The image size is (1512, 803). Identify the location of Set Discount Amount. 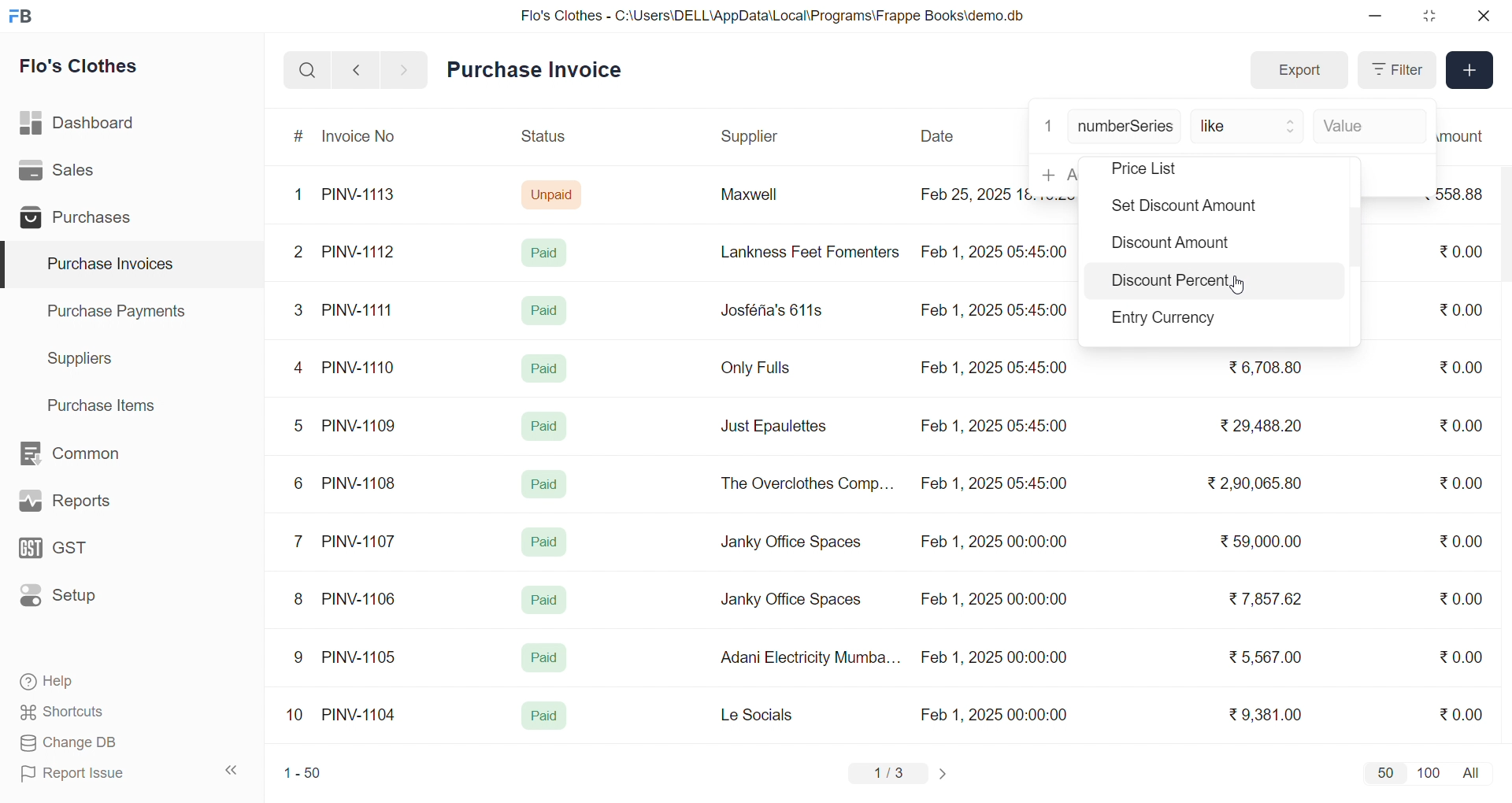
(1180, 208).